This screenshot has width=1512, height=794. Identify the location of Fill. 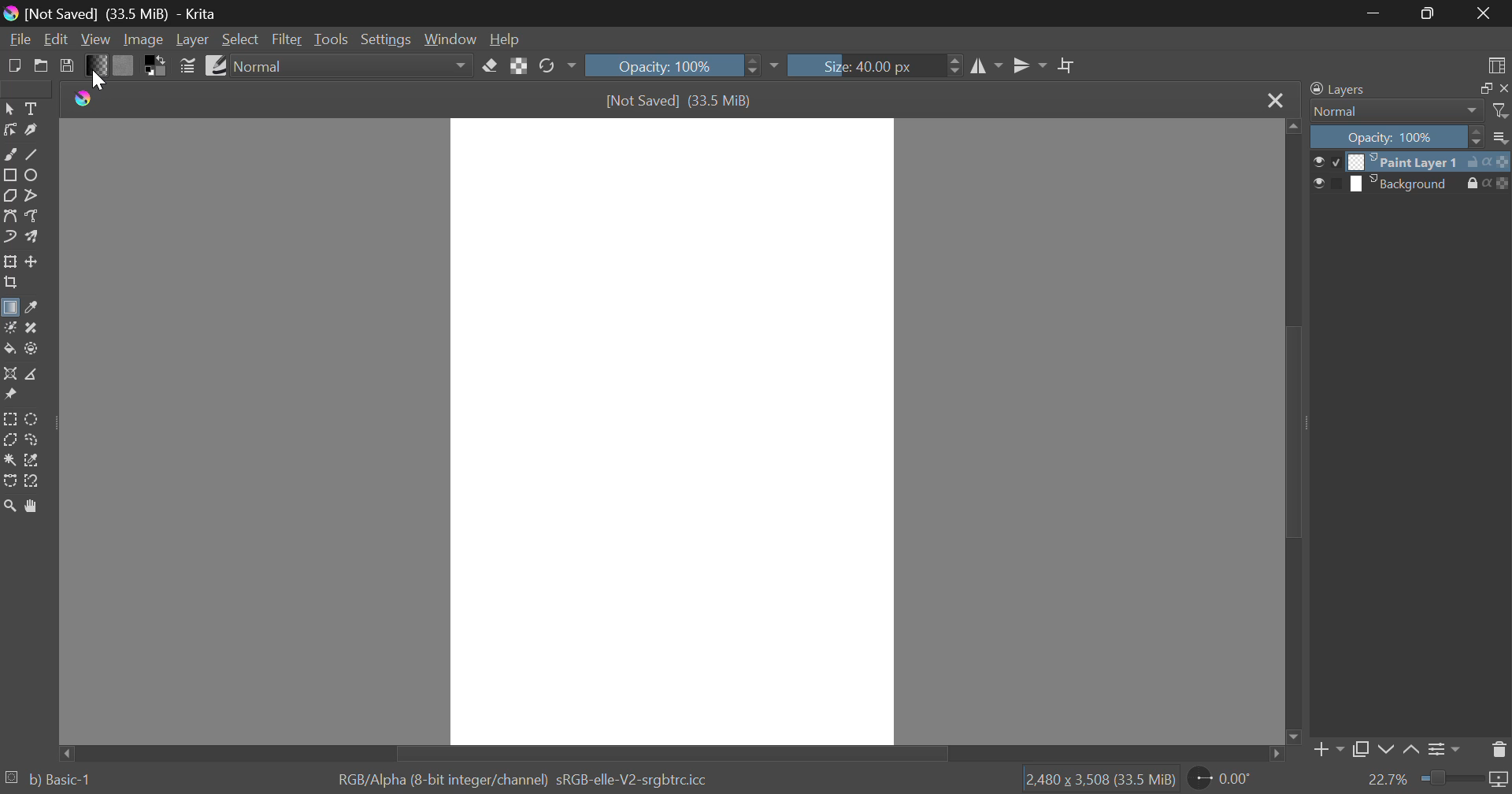
(9, 349).